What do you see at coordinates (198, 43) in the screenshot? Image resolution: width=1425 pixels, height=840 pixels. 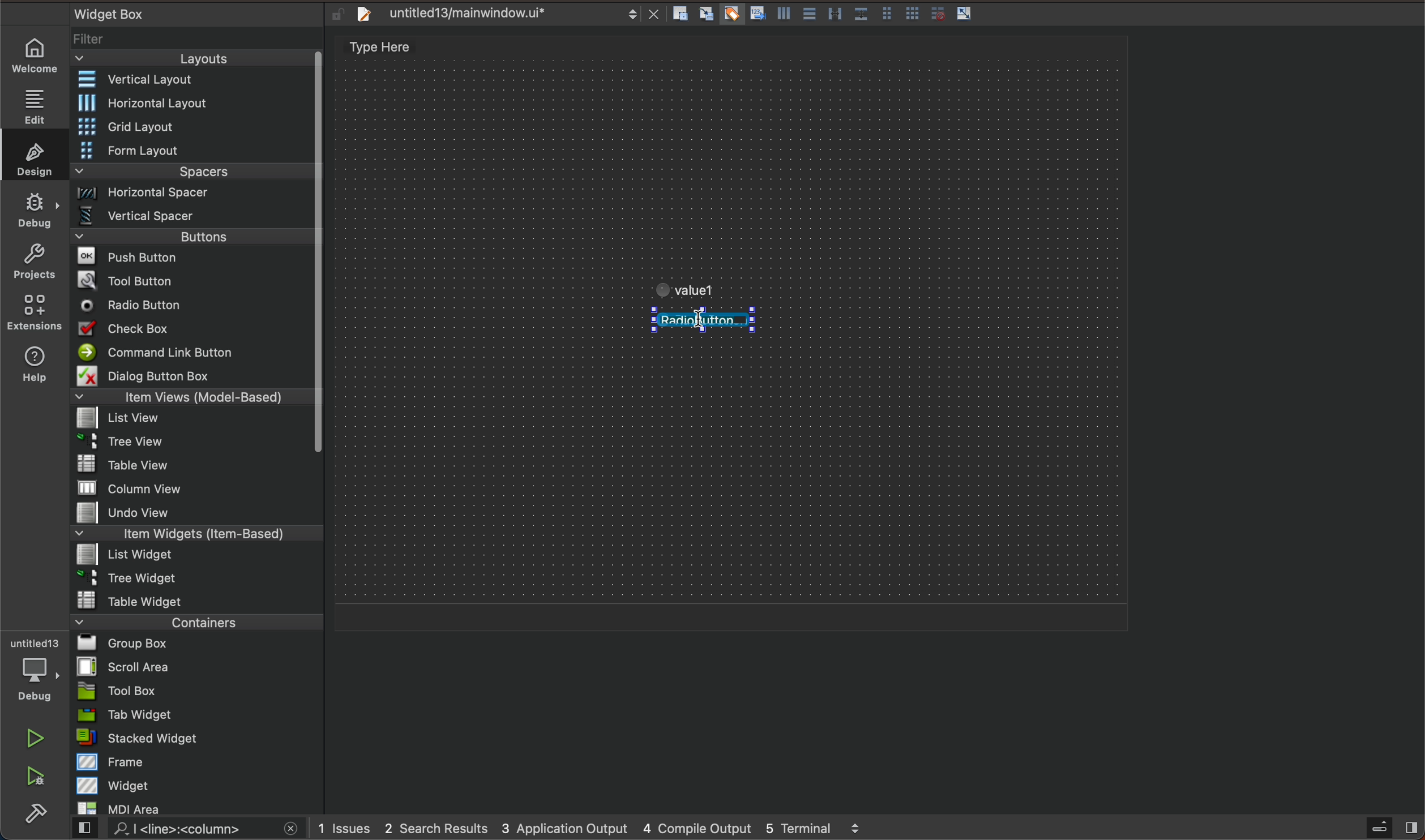 I see `filter` at bounding box center [198, 43].